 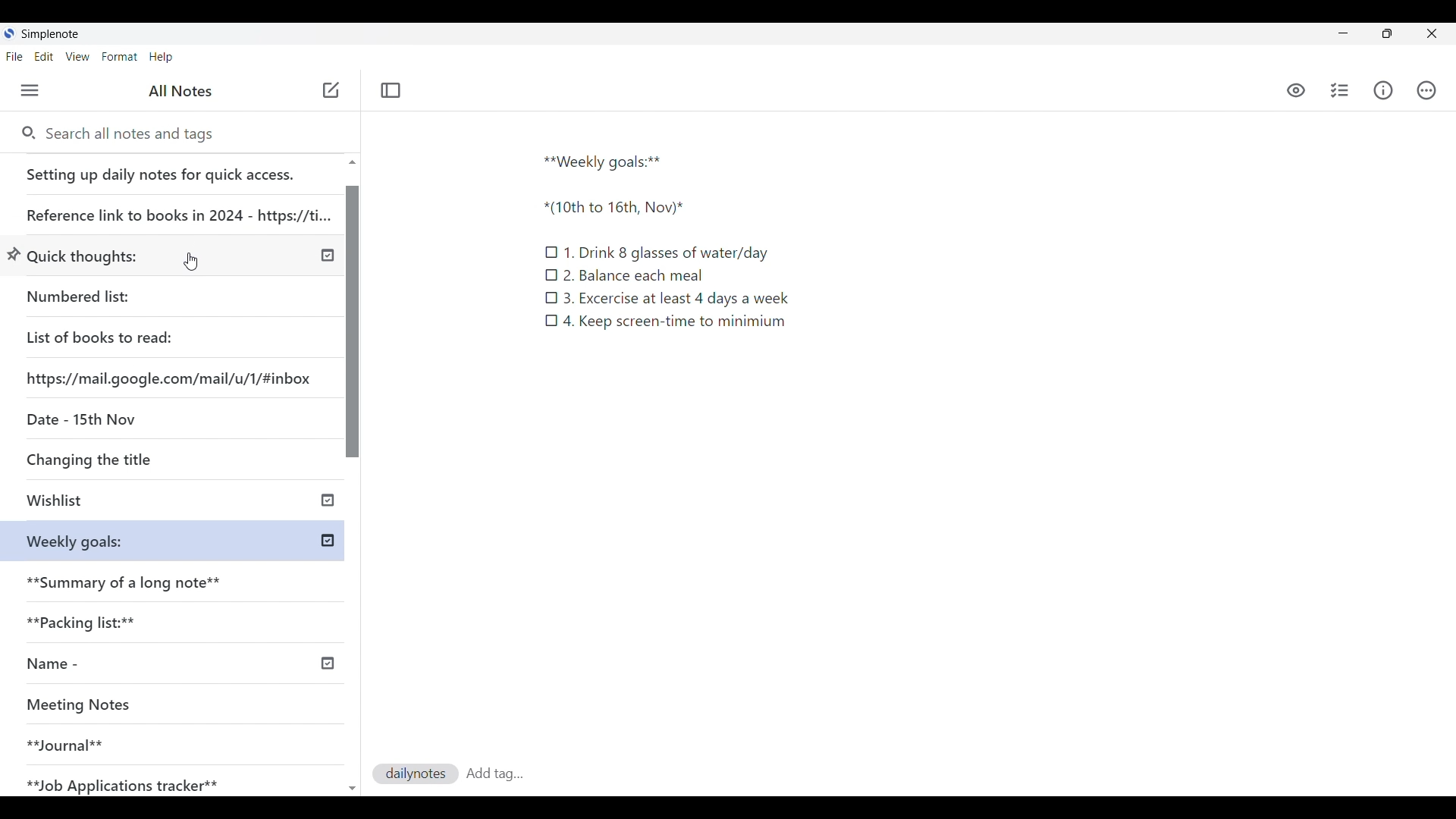 What do you see at coordinates (14, 57) in the screenshot?
I see `File menu` at bounding box center [14, 57].